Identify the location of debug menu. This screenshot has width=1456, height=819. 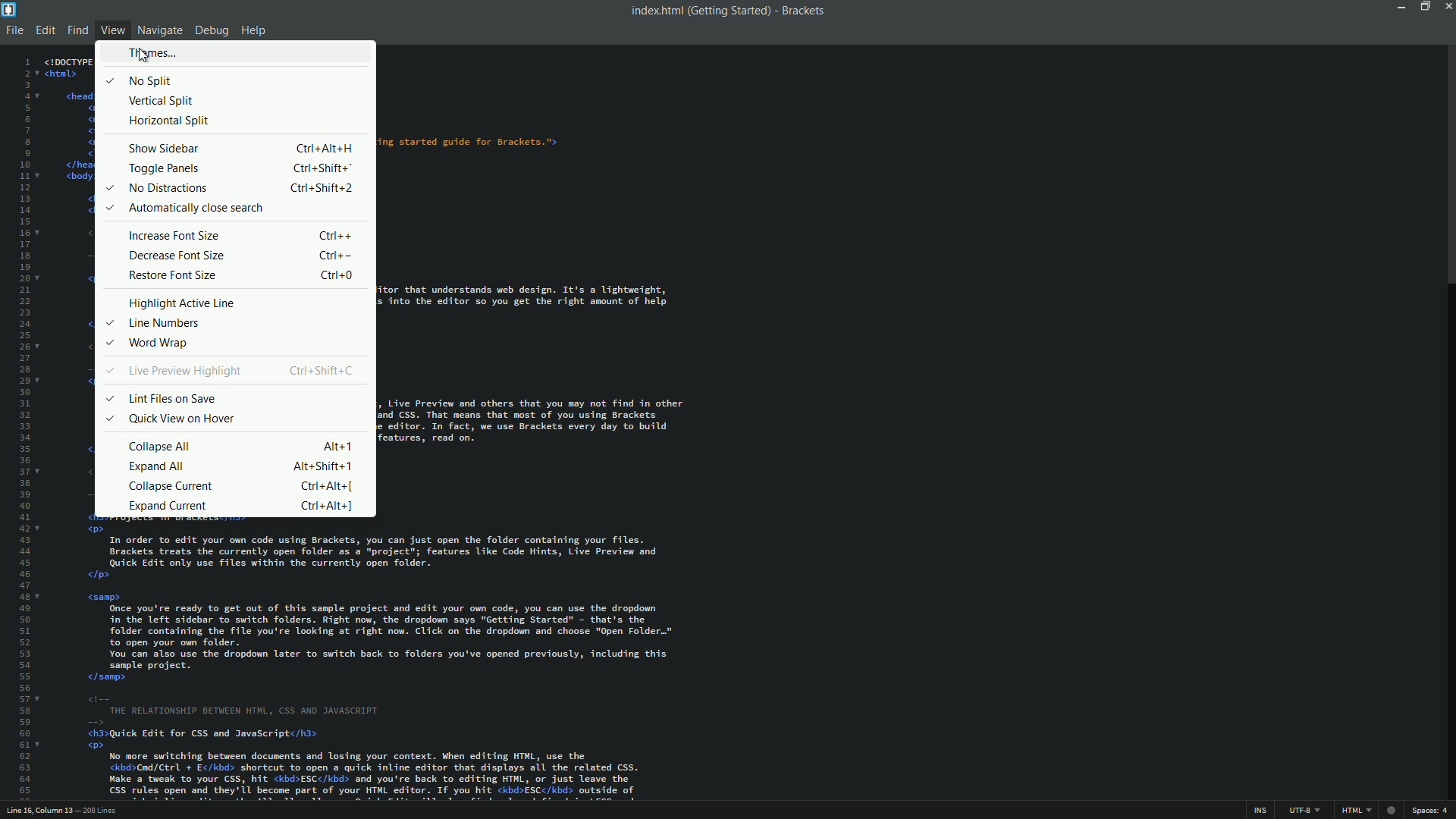
(210, 32).